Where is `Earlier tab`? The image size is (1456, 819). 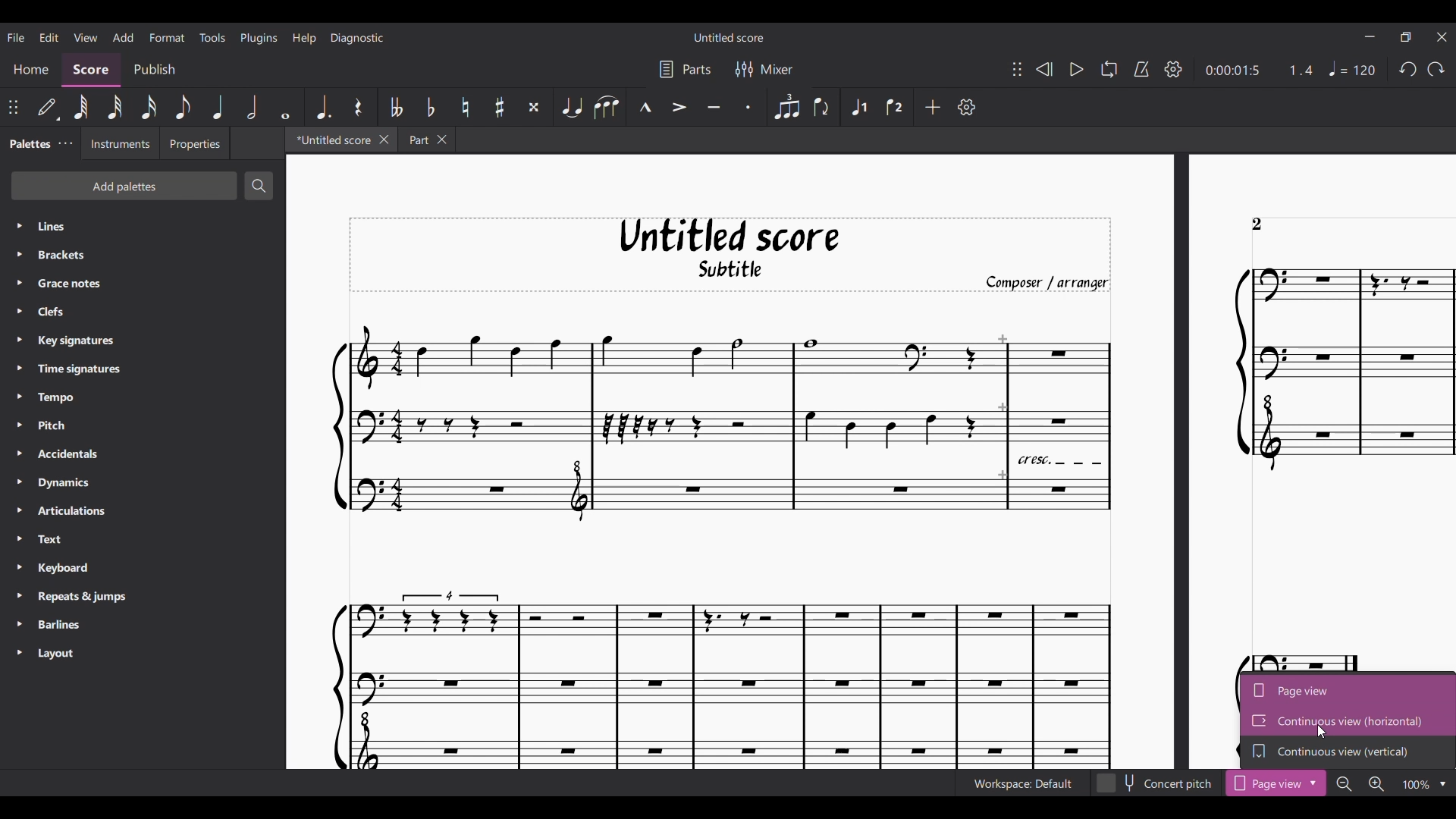
Earlier tab is located at coordinates (428, 140).